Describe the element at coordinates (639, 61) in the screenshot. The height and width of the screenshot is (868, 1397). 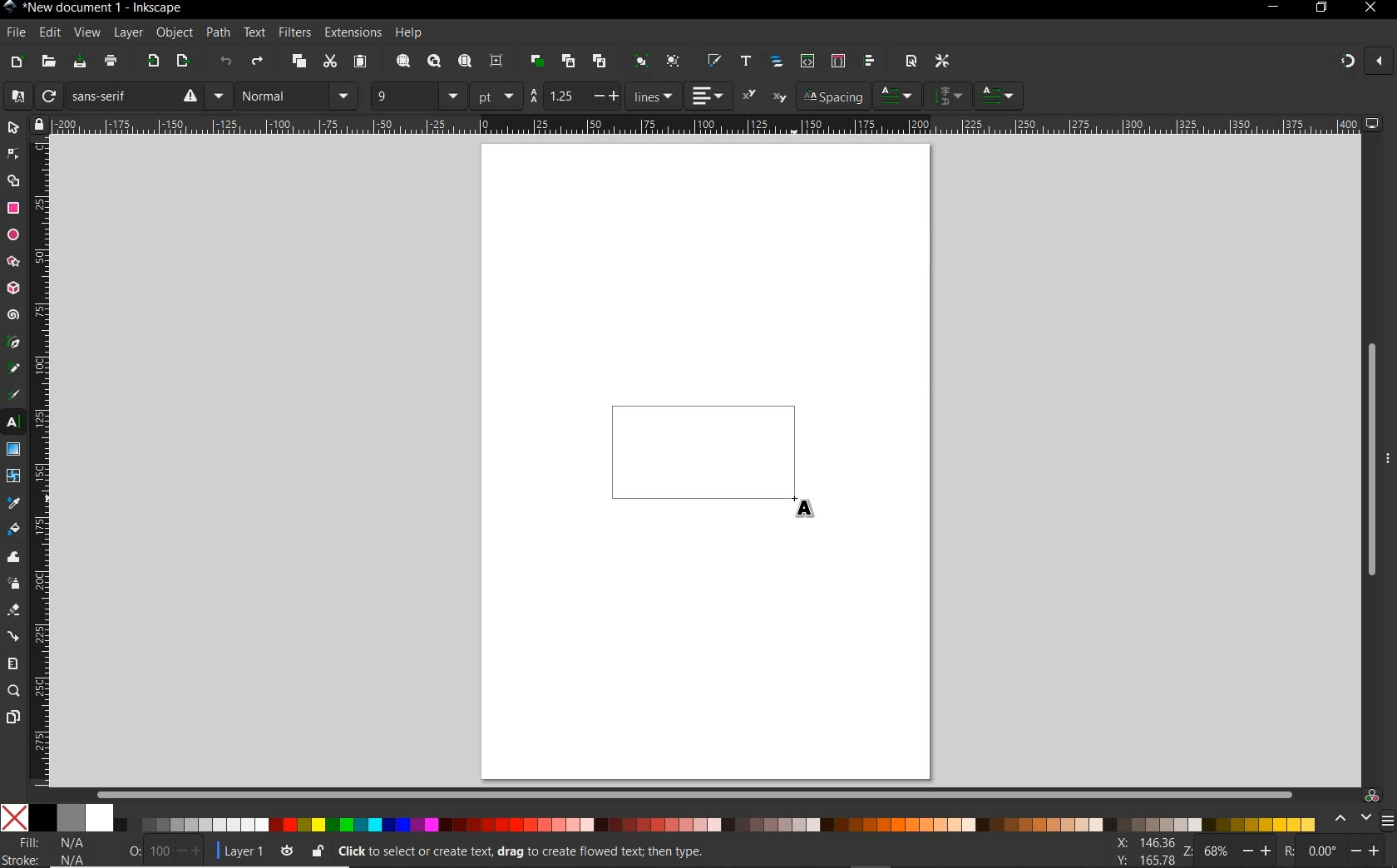
I see `group` at that location.